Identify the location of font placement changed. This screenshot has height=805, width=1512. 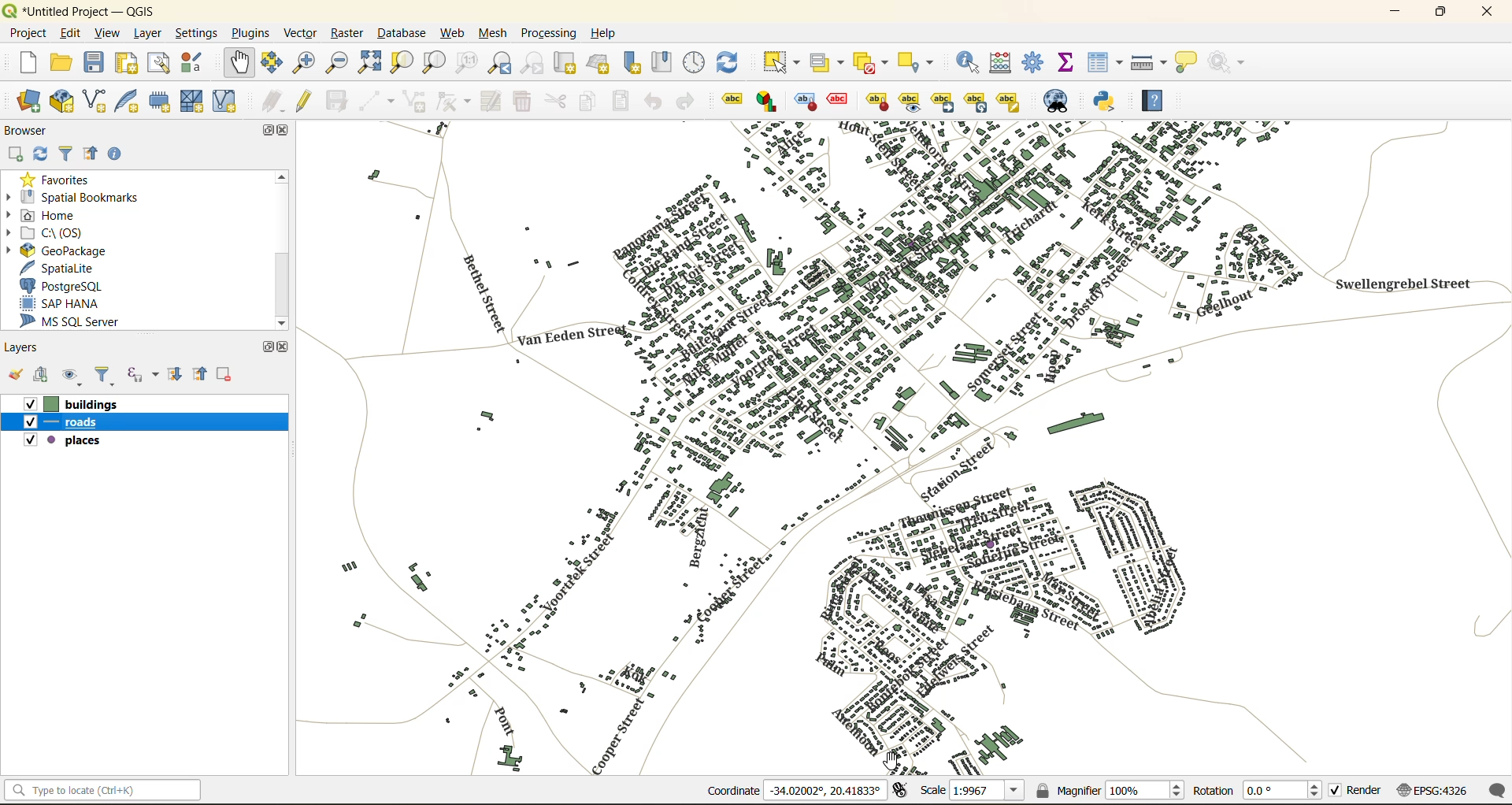
(1403, 281).